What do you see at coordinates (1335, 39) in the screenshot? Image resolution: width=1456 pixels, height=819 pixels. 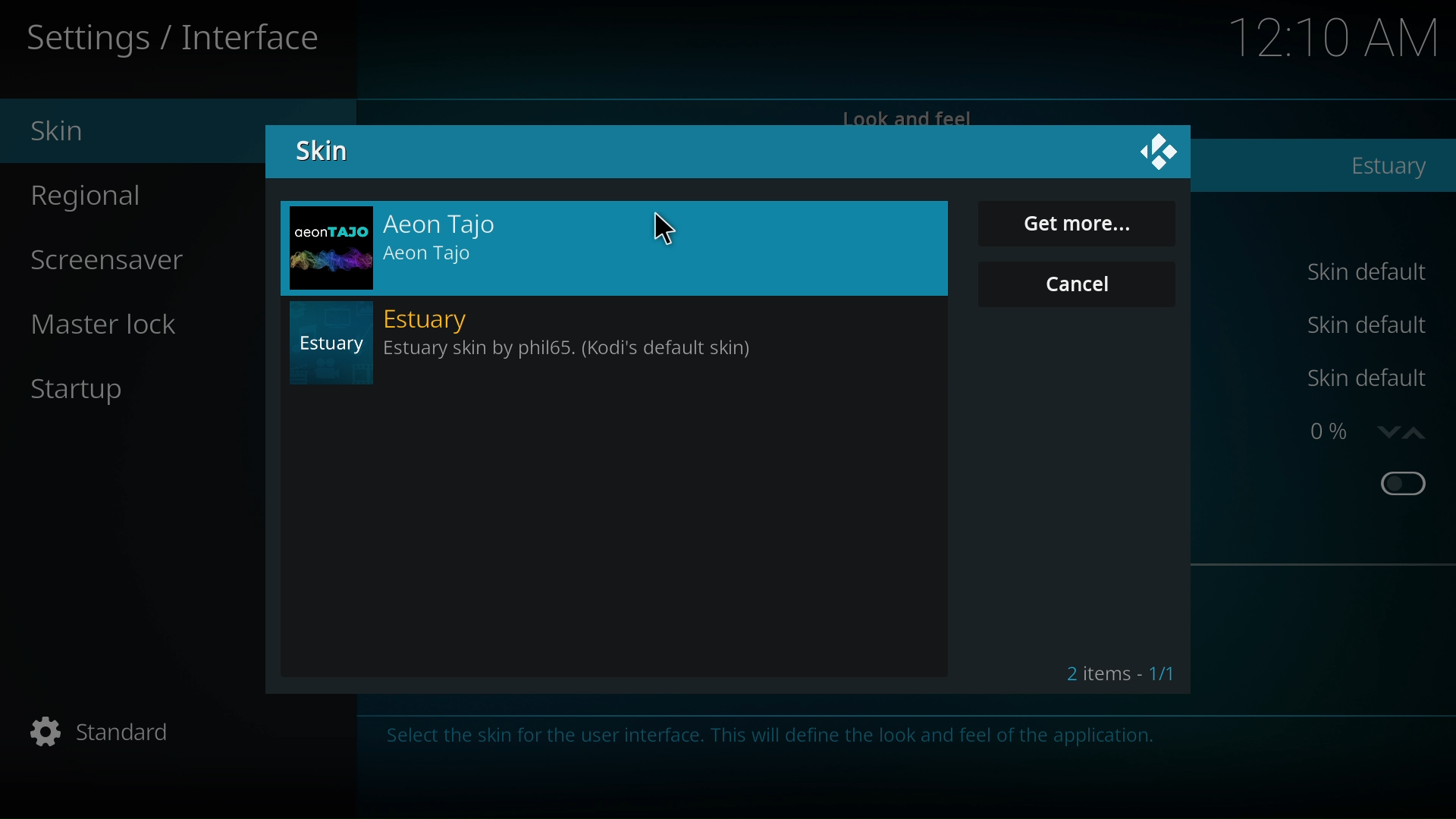 I see `12:10 AM` at bounding box center [1335, 39].